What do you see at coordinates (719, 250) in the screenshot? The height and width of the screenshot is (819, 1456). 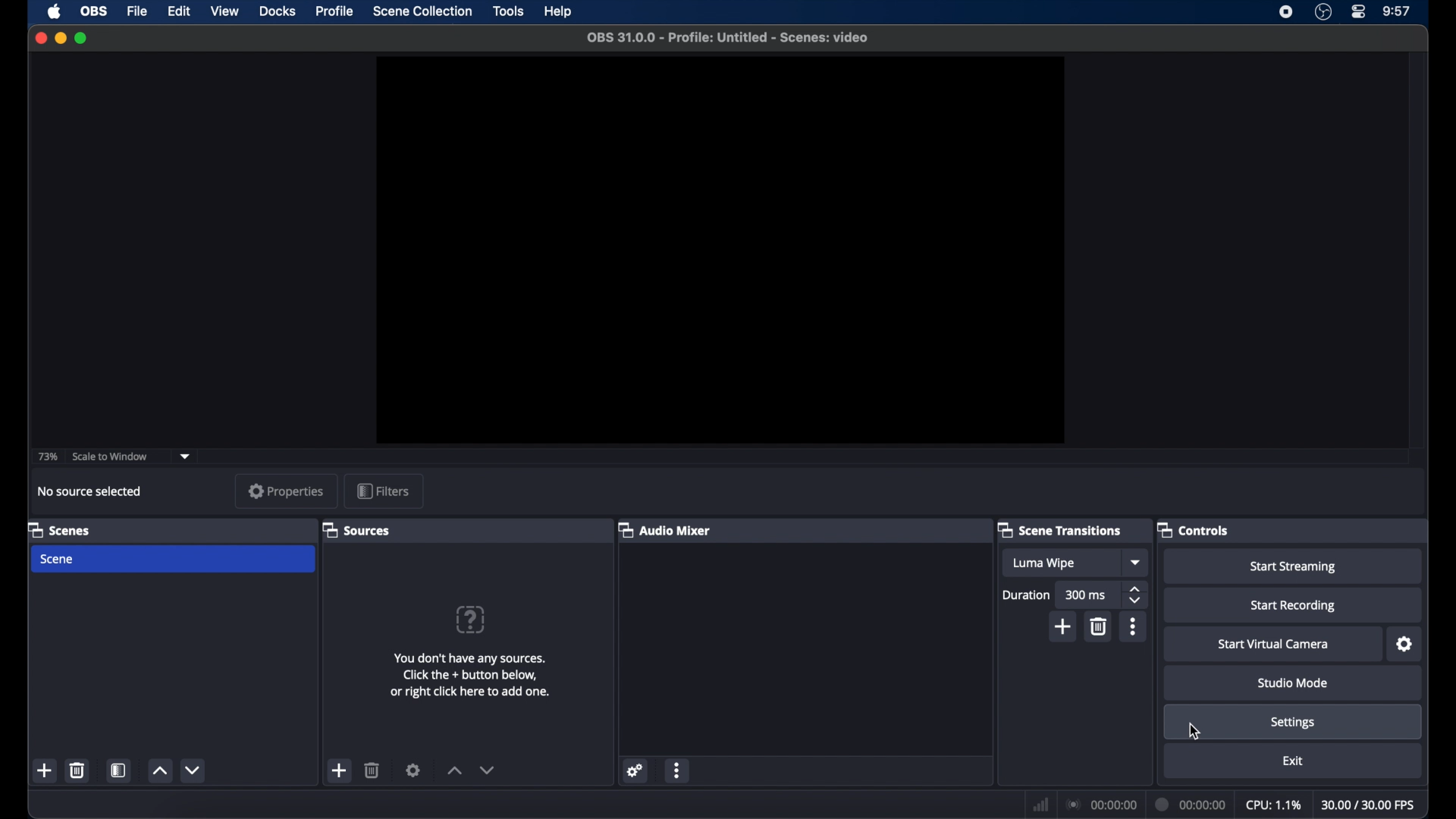 I see `preview` at bounding box center [719, 250].